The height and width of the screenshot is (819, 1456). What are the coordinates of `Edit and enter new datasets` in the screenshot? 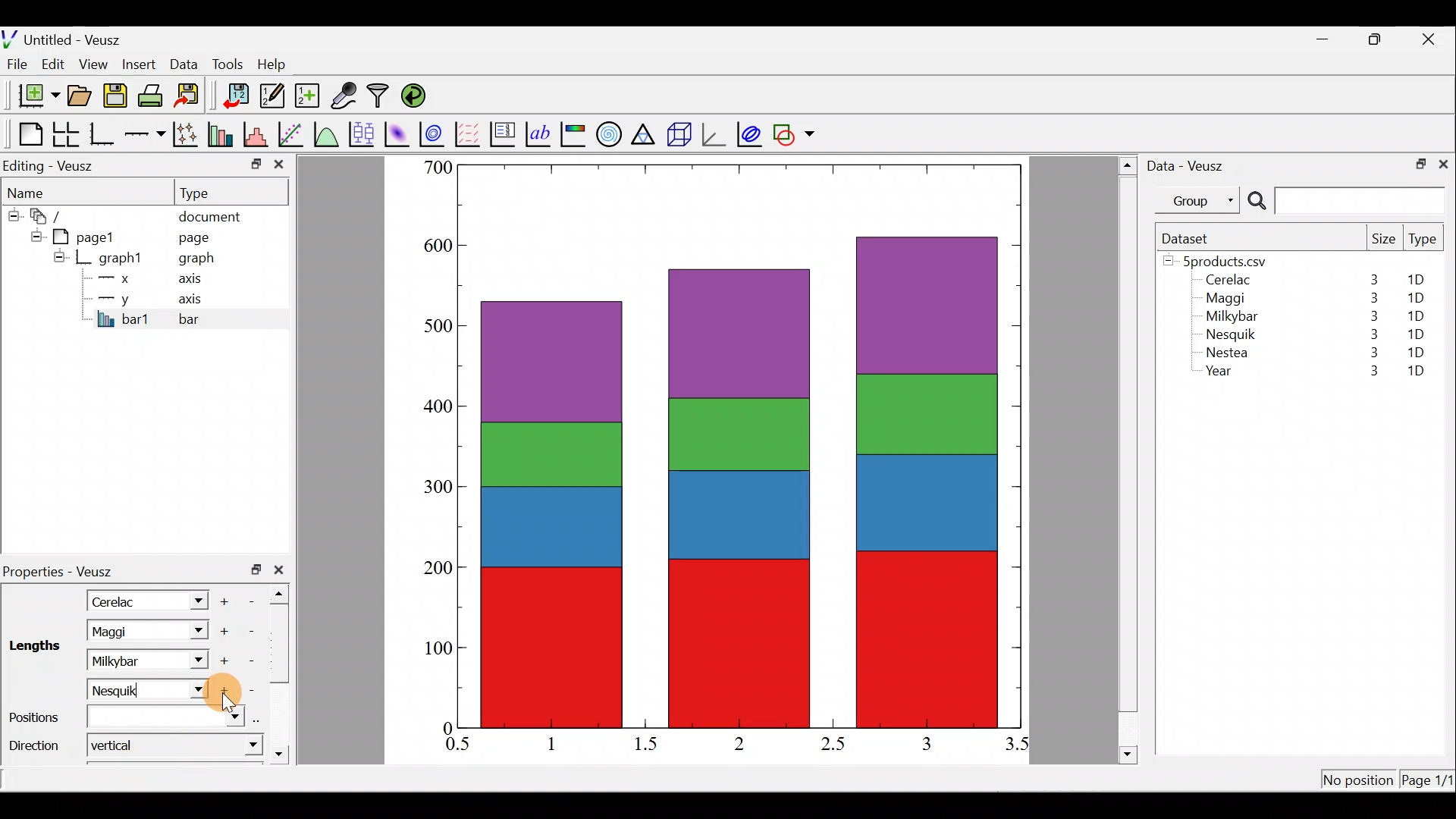 It's located at (272, 96).